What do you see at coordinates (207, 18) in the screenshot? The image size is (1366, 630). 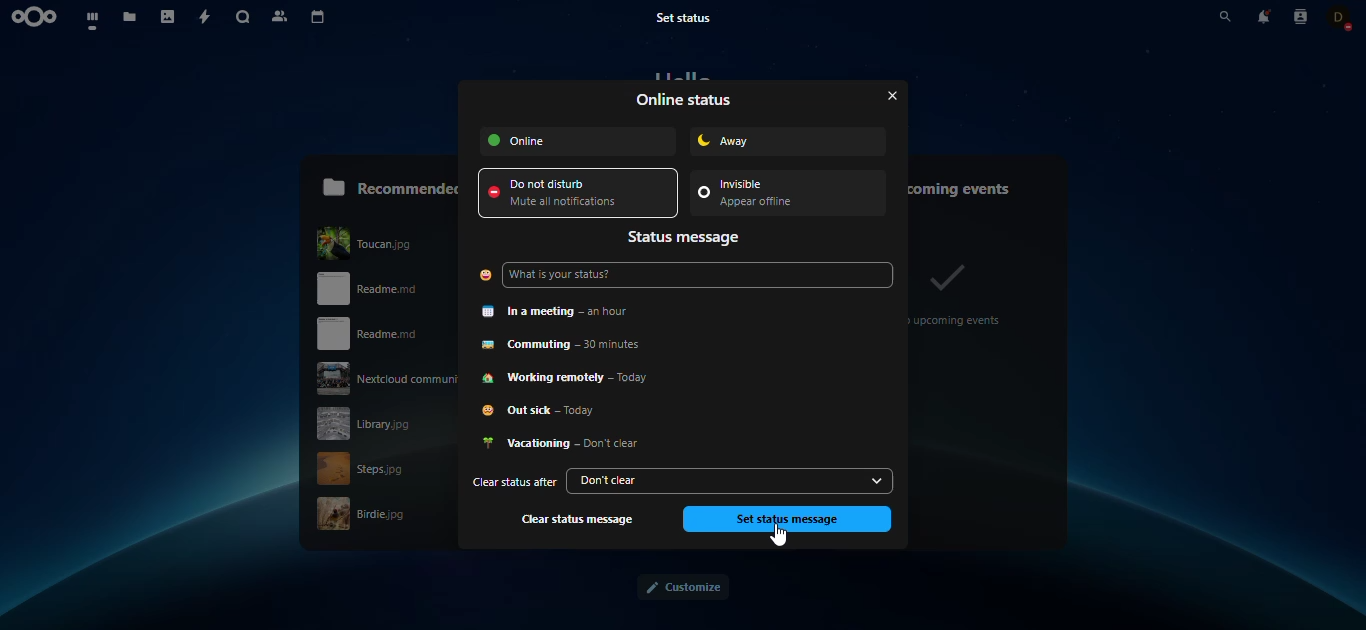 I see `activity` at bounding box center [207, 18].